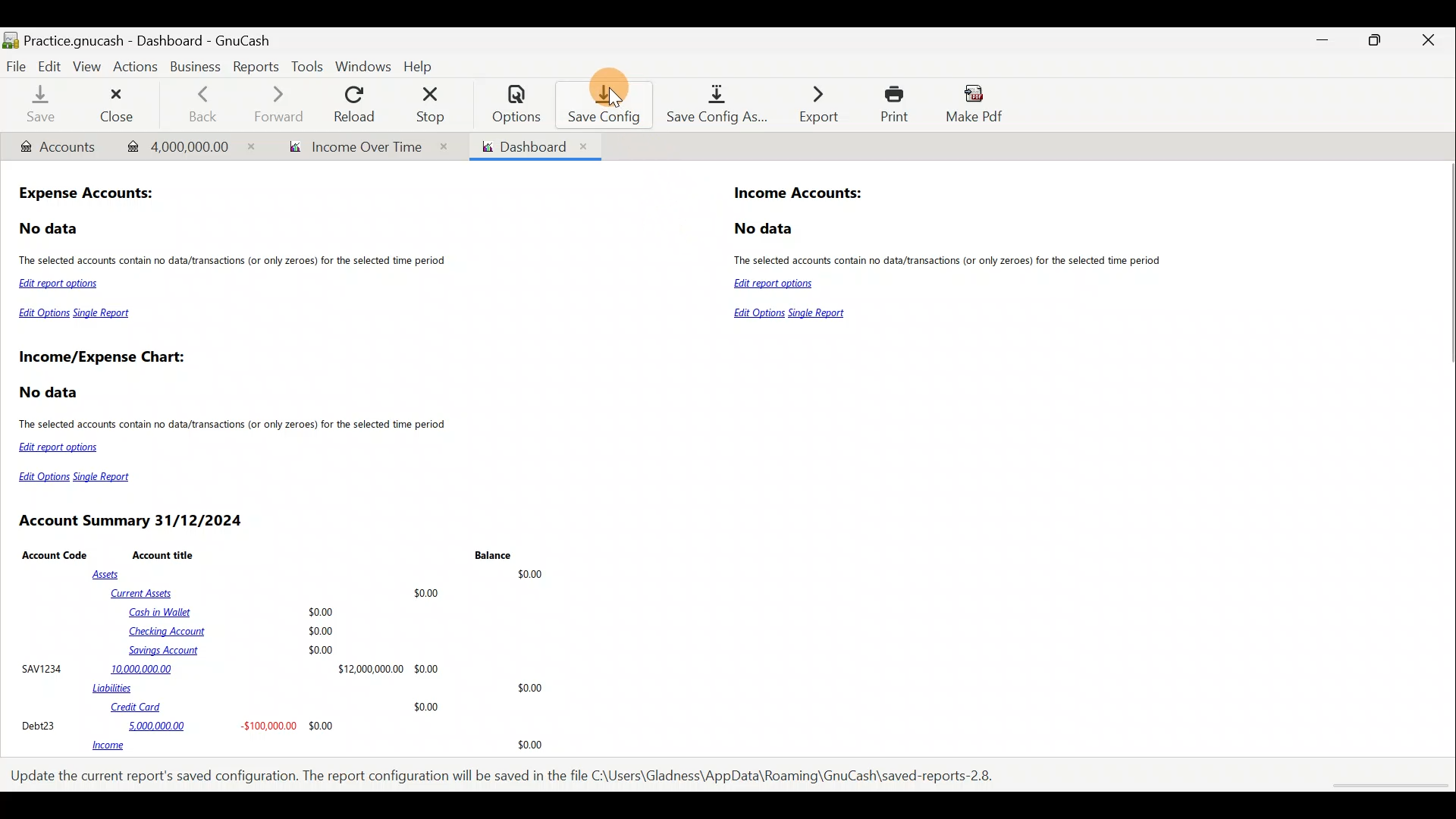 This screenshot has width=1456, height=819. What do you see at coordinates (357, 104) in the screenshot?
I see `Reload` at bounding box center [357, 104].